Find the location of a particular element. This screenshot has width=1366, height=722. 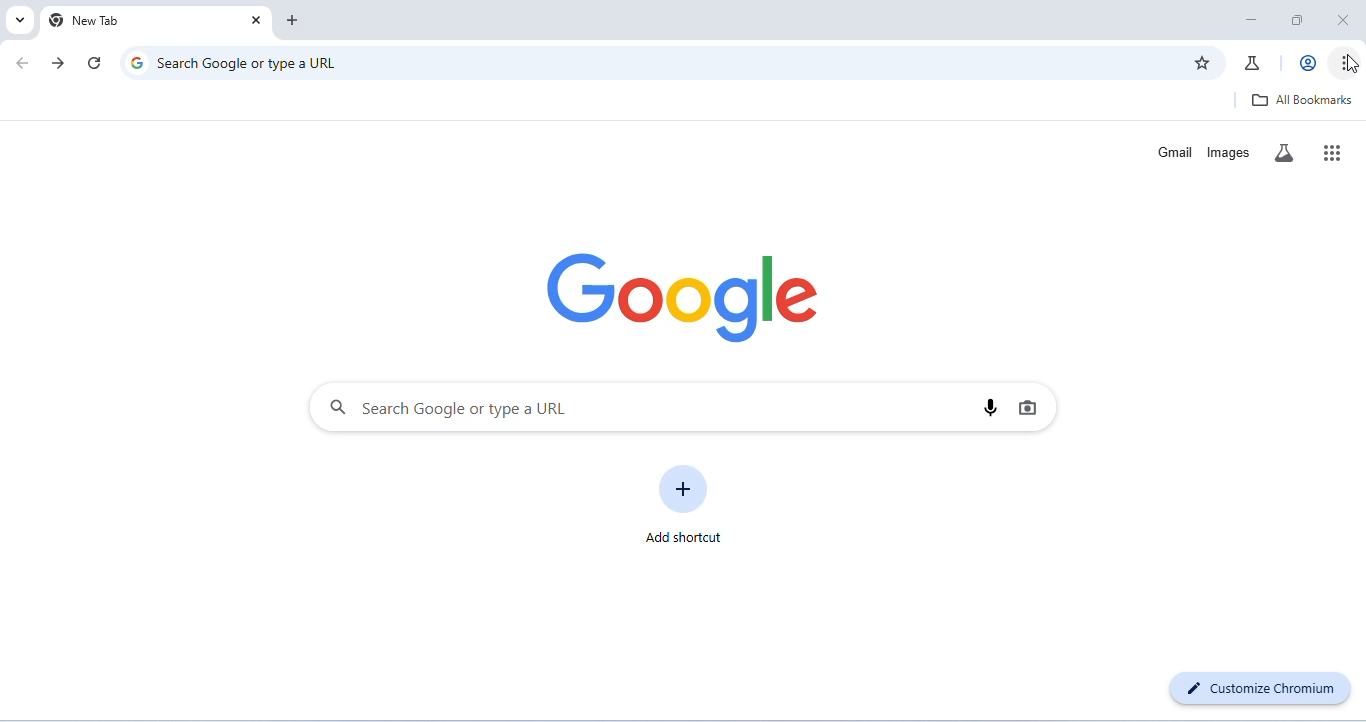

image search is located at coordinates (1032, 408).